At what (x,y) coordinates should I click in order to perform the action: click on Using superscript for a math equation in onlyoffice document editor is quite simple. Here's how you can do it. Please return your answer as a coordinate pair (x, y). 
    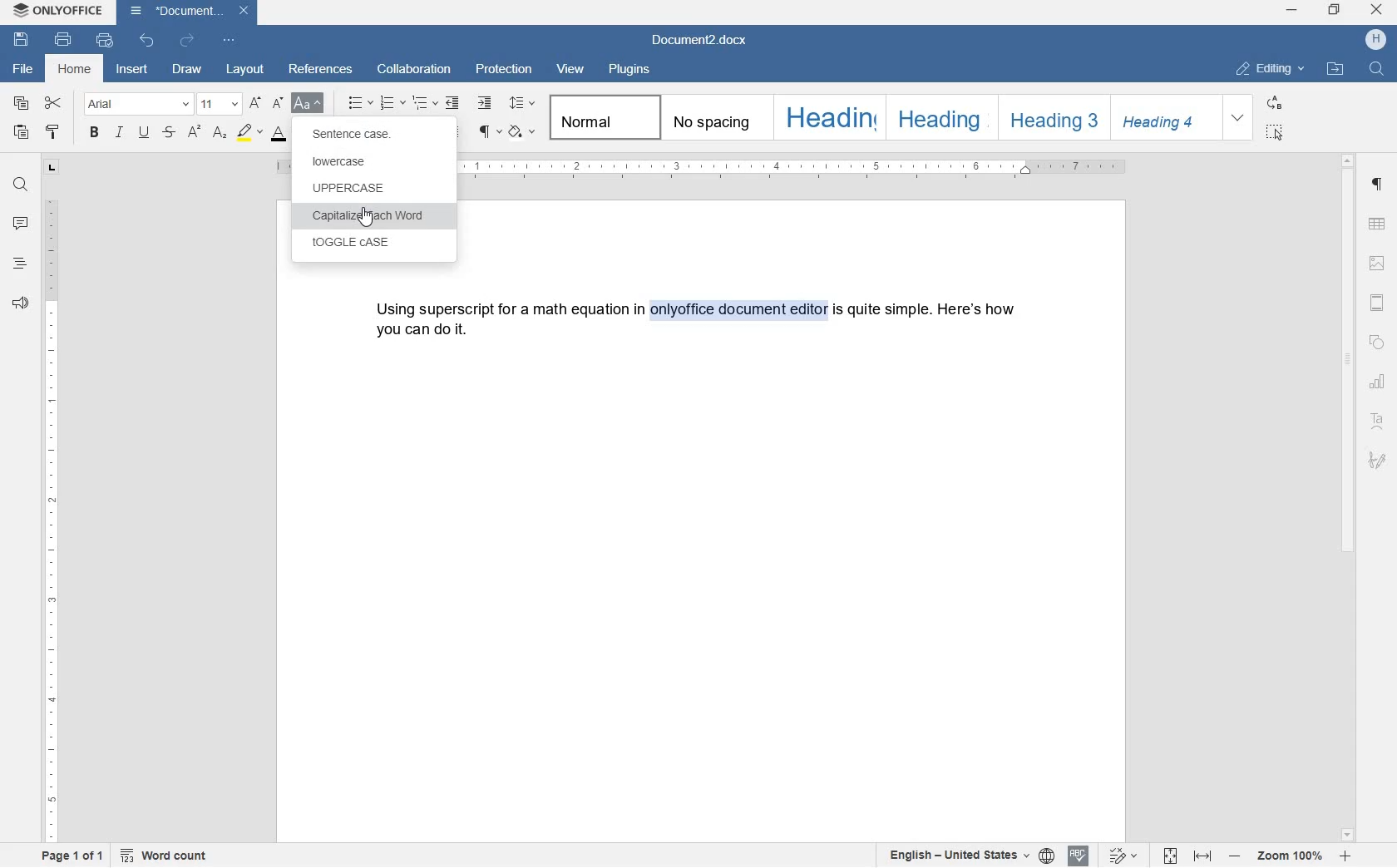
    Looking at the image, I should click on (698, 316).